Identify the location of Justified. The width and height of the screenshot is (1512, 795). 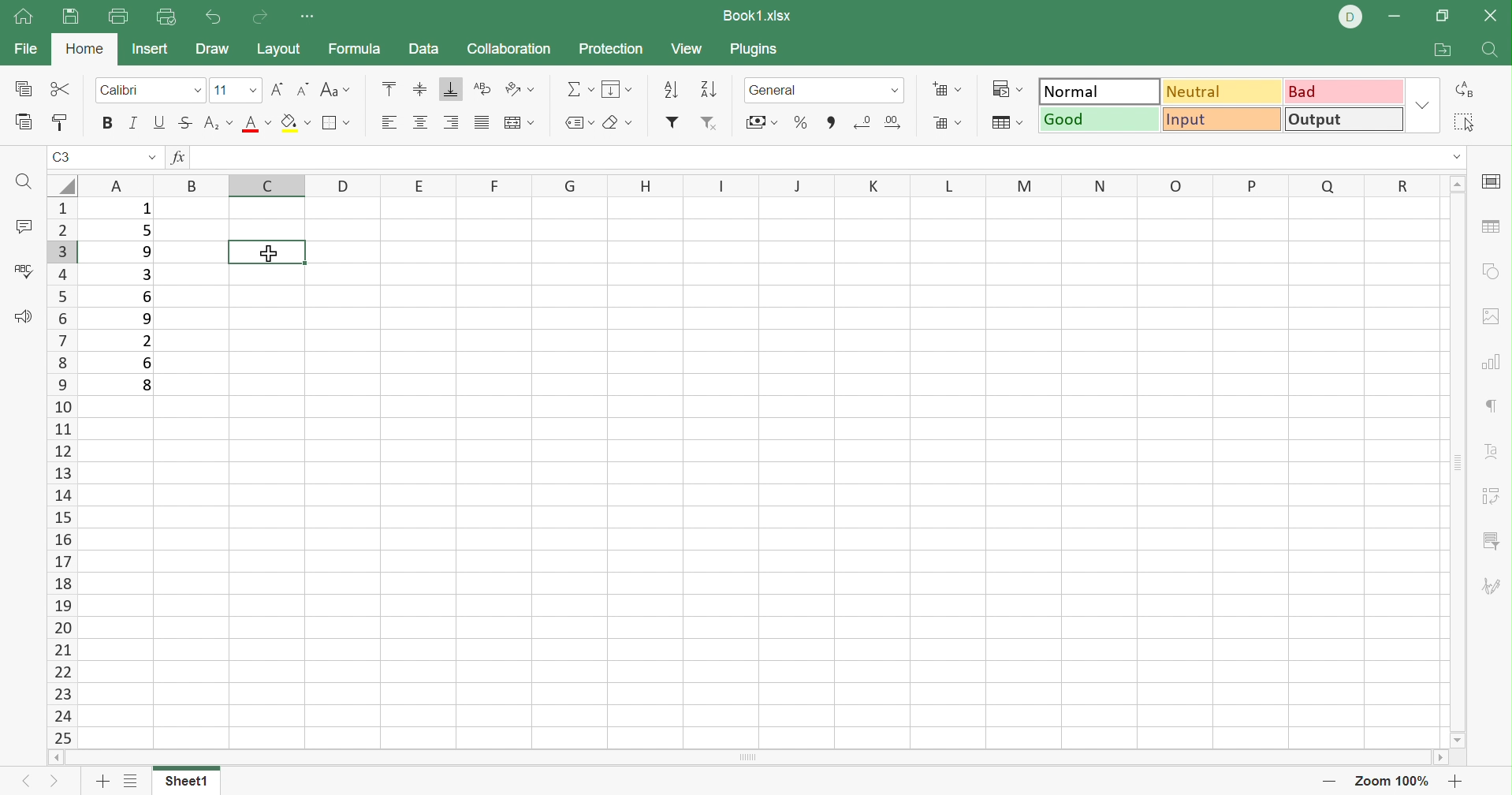
(483, 123).